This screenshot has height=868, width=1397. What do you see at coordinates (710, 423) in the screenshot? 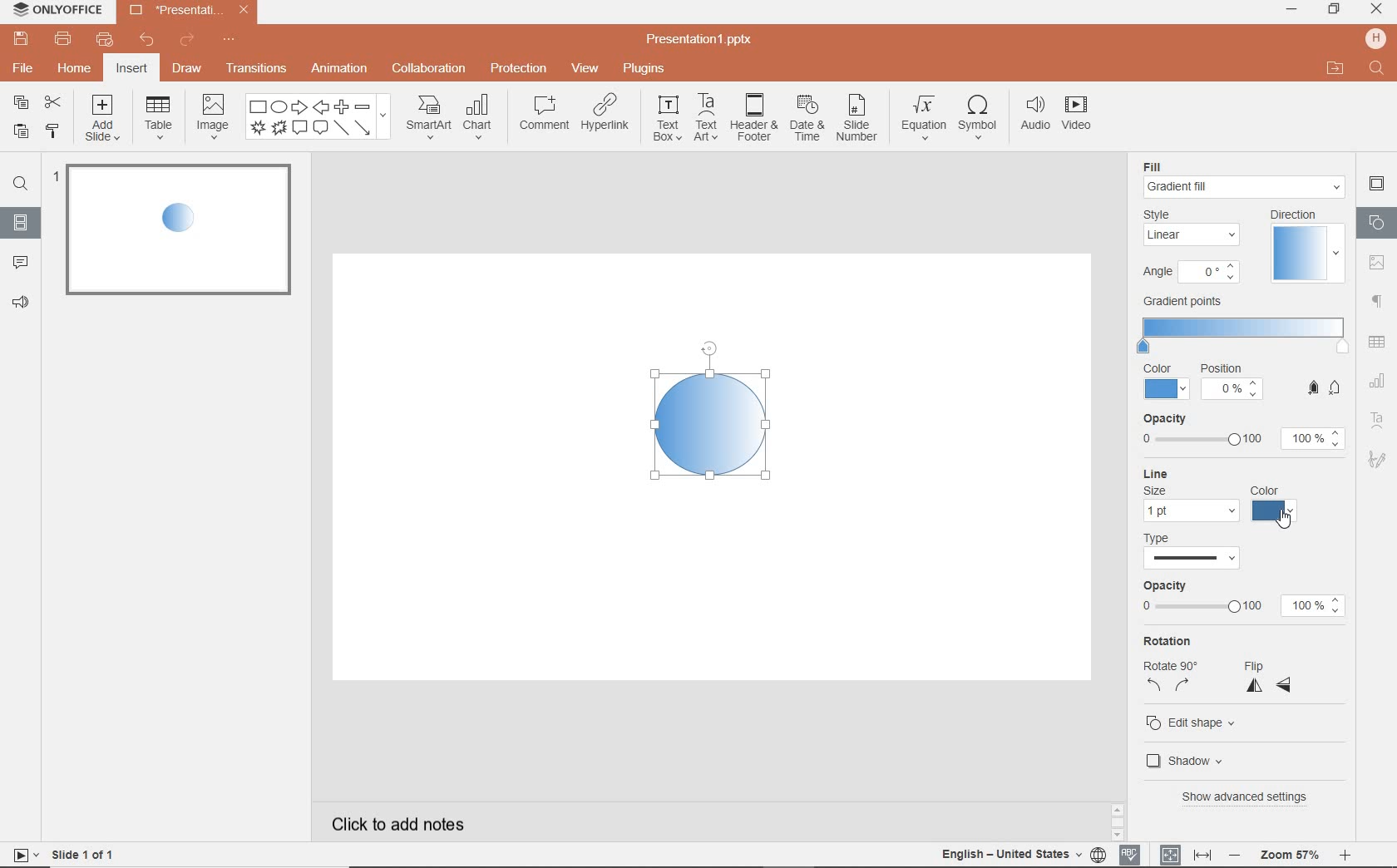
I see `gradient added` at bounding box center [710, 423].